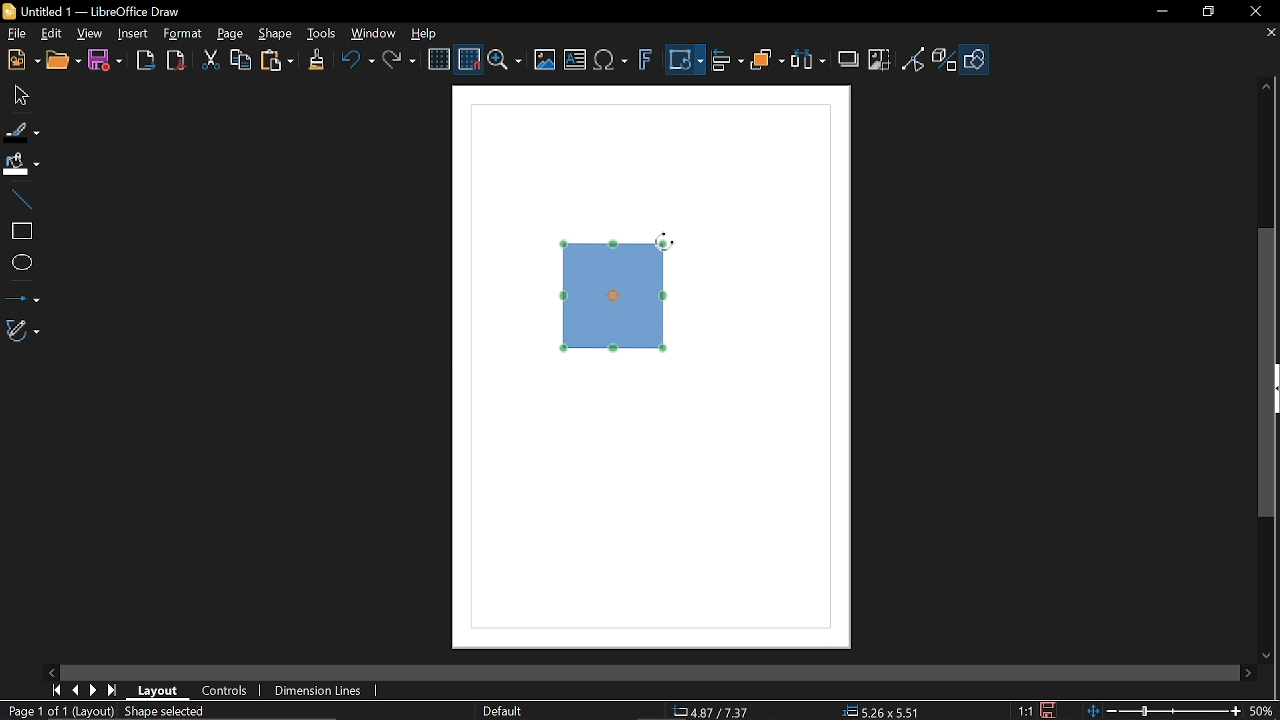 This screenshot has width=1280, height=720. I want to click on Transformation, so click(685, 61).